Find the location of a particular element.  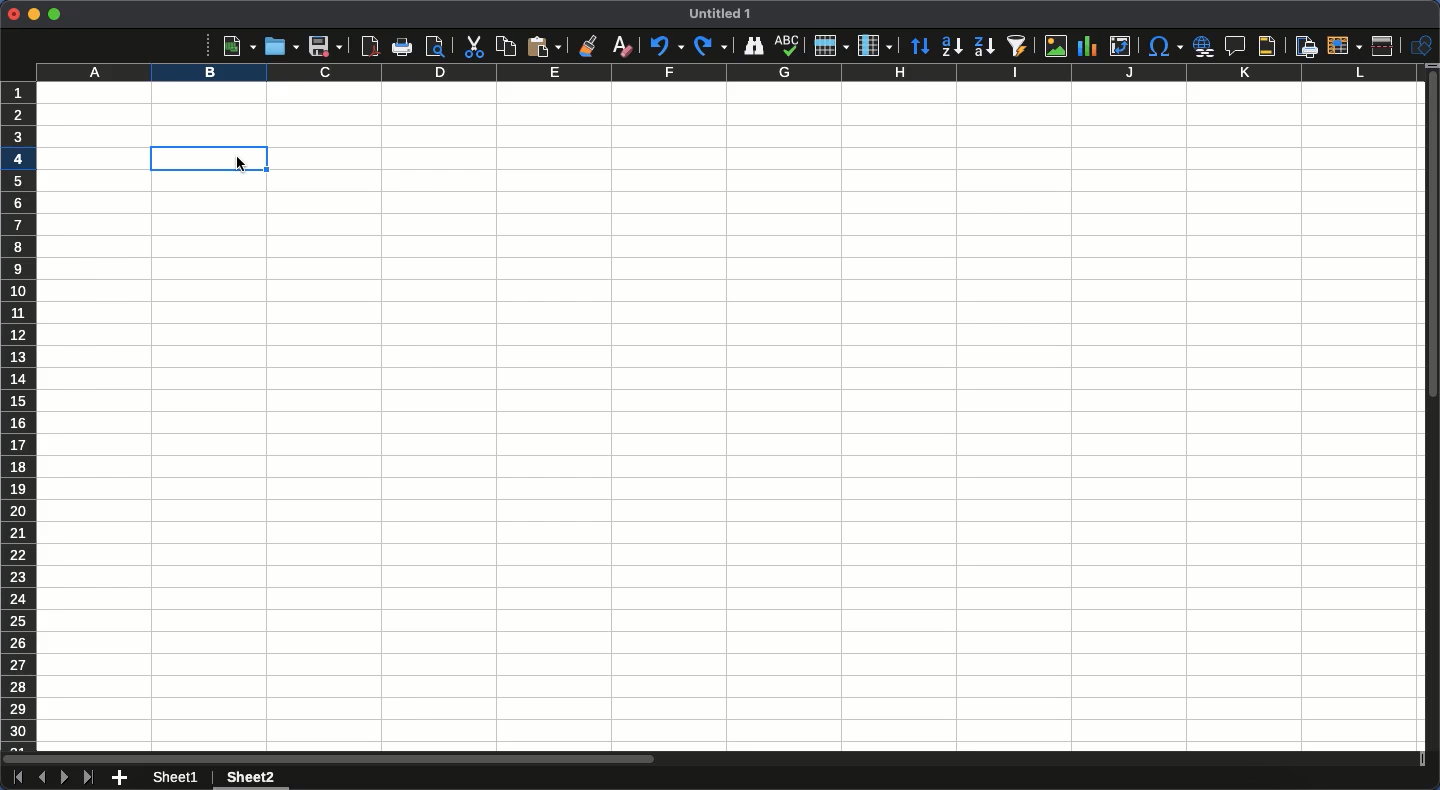

Scroll is located at coordinates (1431, 418).